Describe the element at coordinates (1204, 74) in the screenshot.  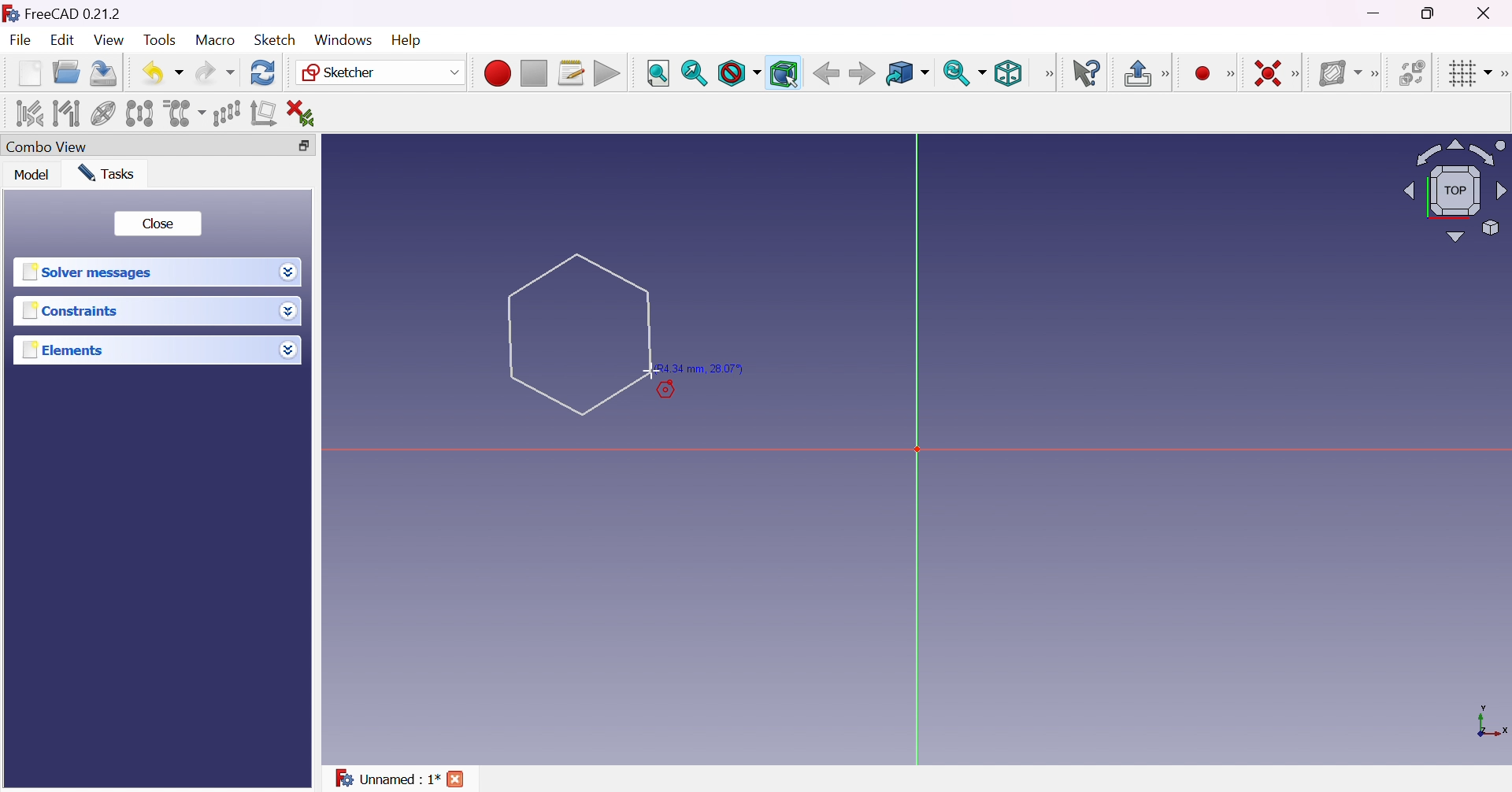
I see `Create point` at that location.